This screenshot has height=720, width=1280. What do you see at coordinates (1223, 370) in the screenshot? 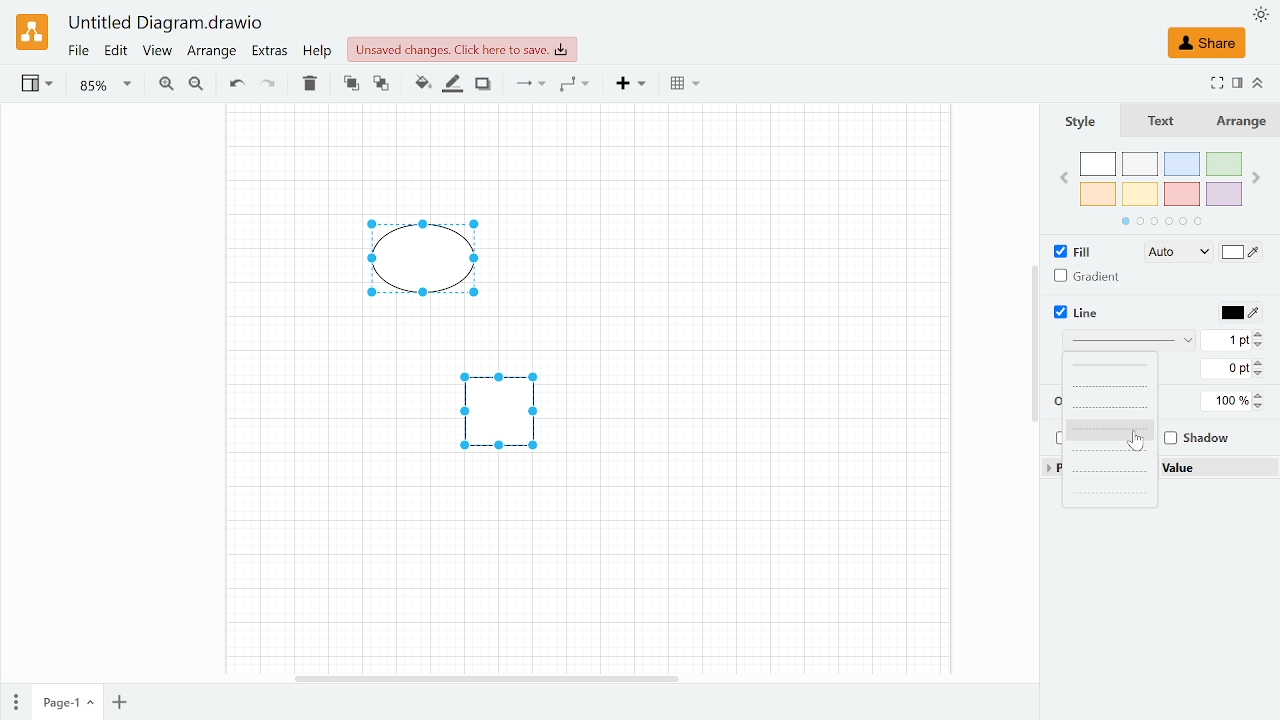
I see `Perimeter` at bounding box center [1223, 370].